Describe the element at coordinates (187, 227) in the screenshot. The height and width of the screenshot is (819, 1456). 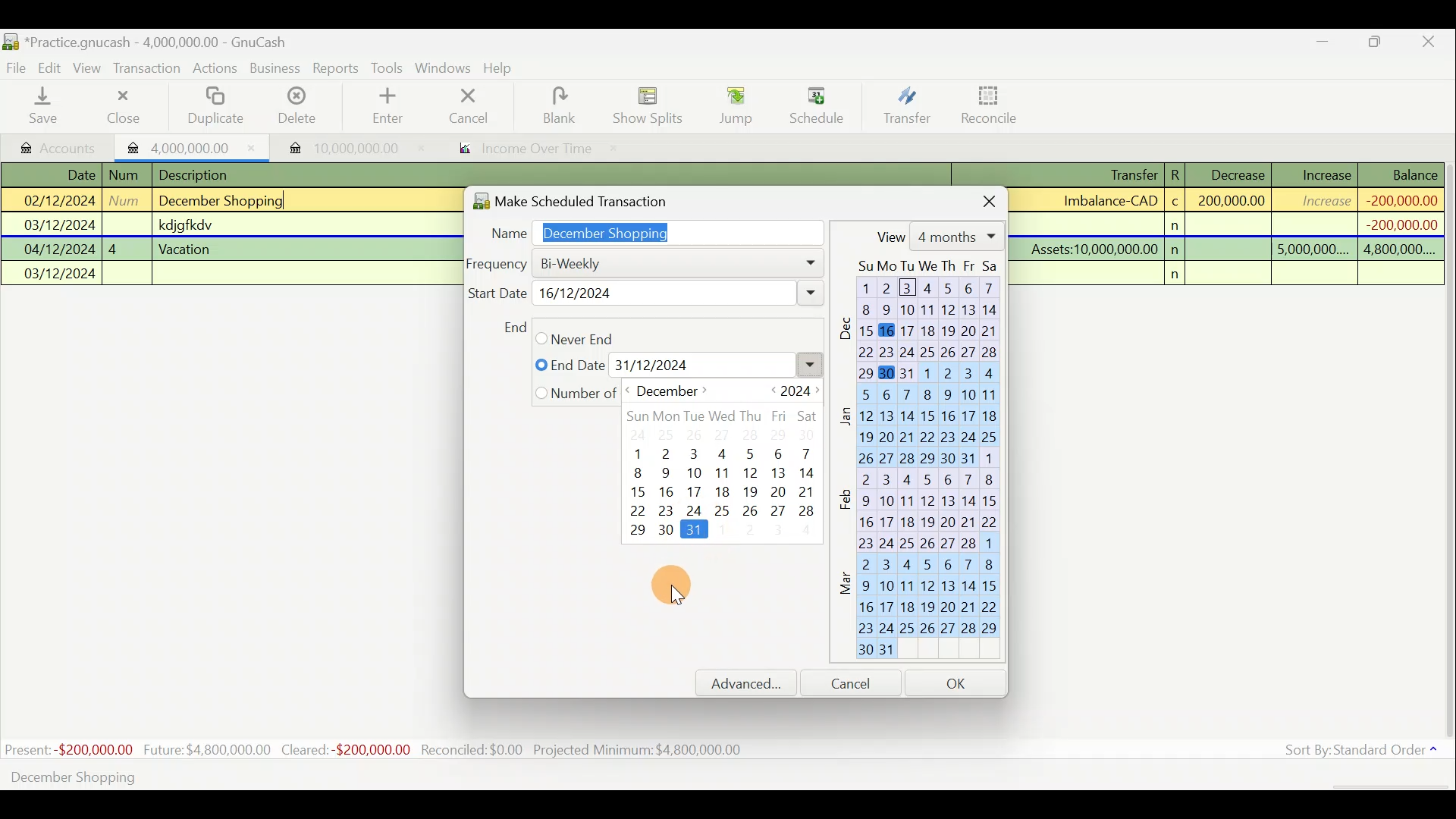
I see `Lines of transactions` at that location.